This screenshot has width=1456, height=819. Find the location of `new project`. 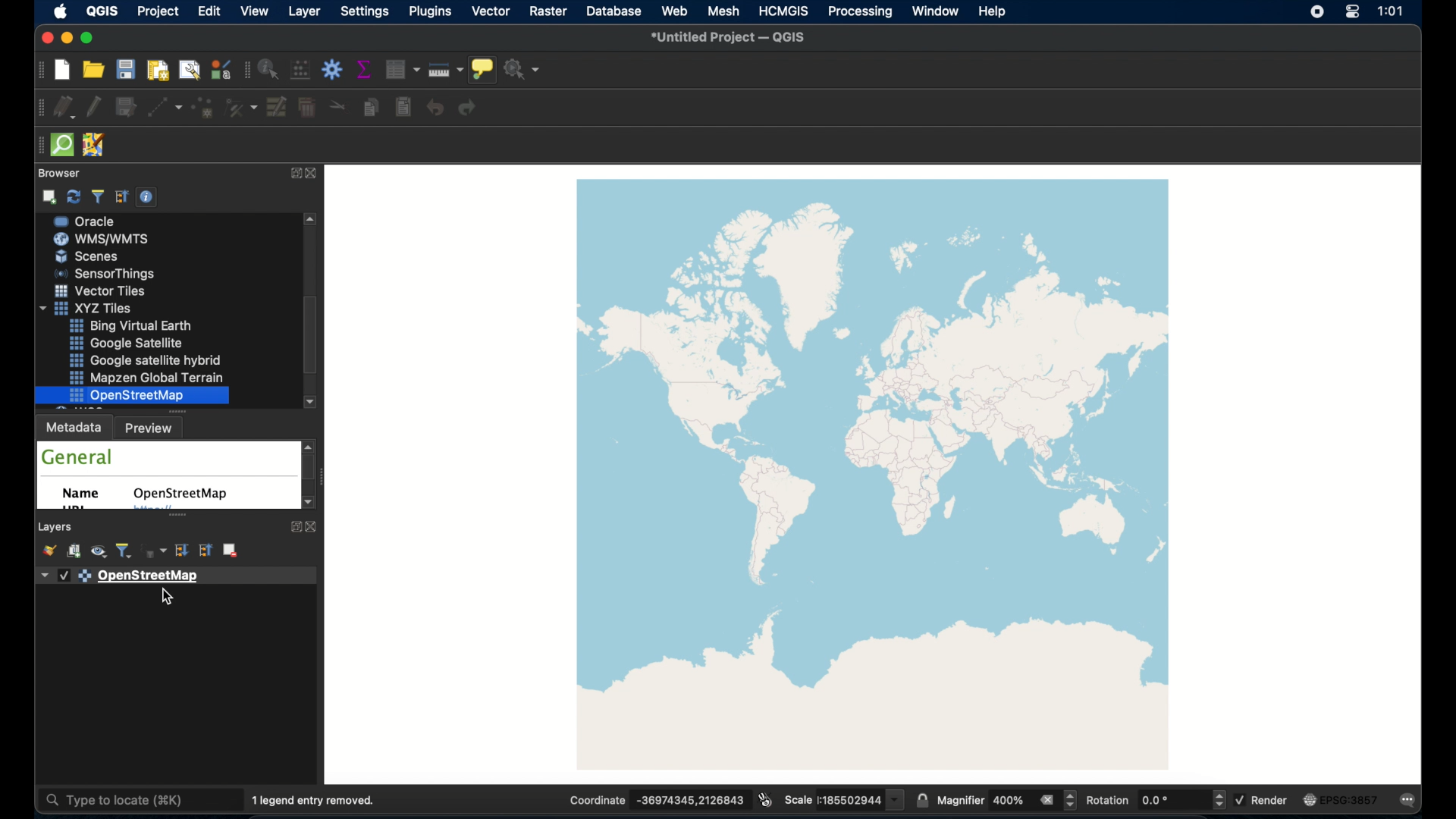

new project is located at coordinates (61, 71).